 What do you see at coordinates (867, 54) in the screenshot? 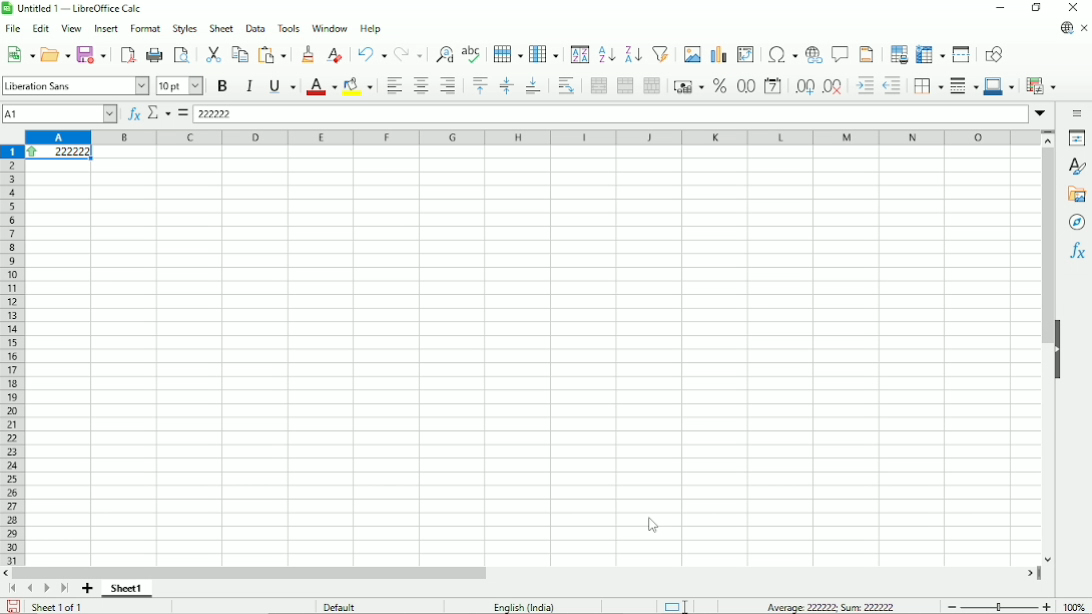
I see `Headers and footers` at bounding box center [867, 54].